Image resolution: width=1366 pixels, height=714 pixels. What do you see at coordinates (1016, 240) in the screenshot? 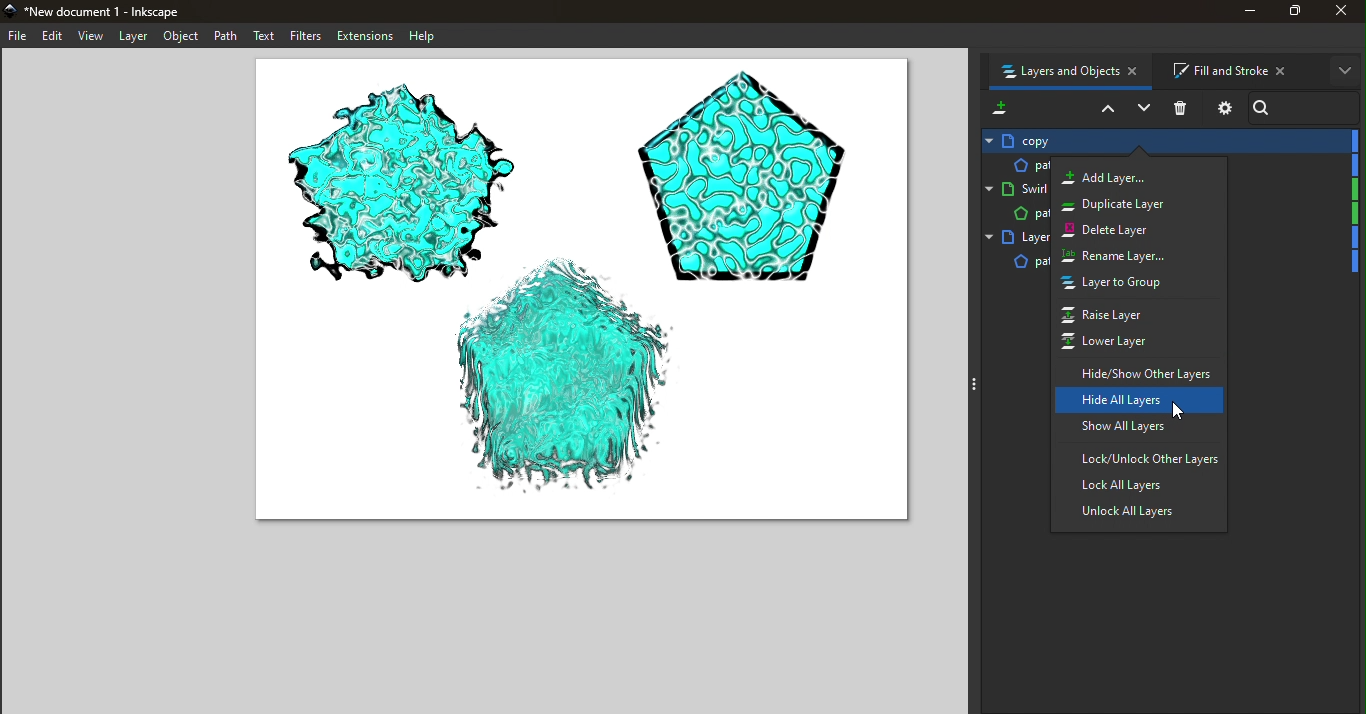
I see `Layer` at bounding box center [1016, 240].